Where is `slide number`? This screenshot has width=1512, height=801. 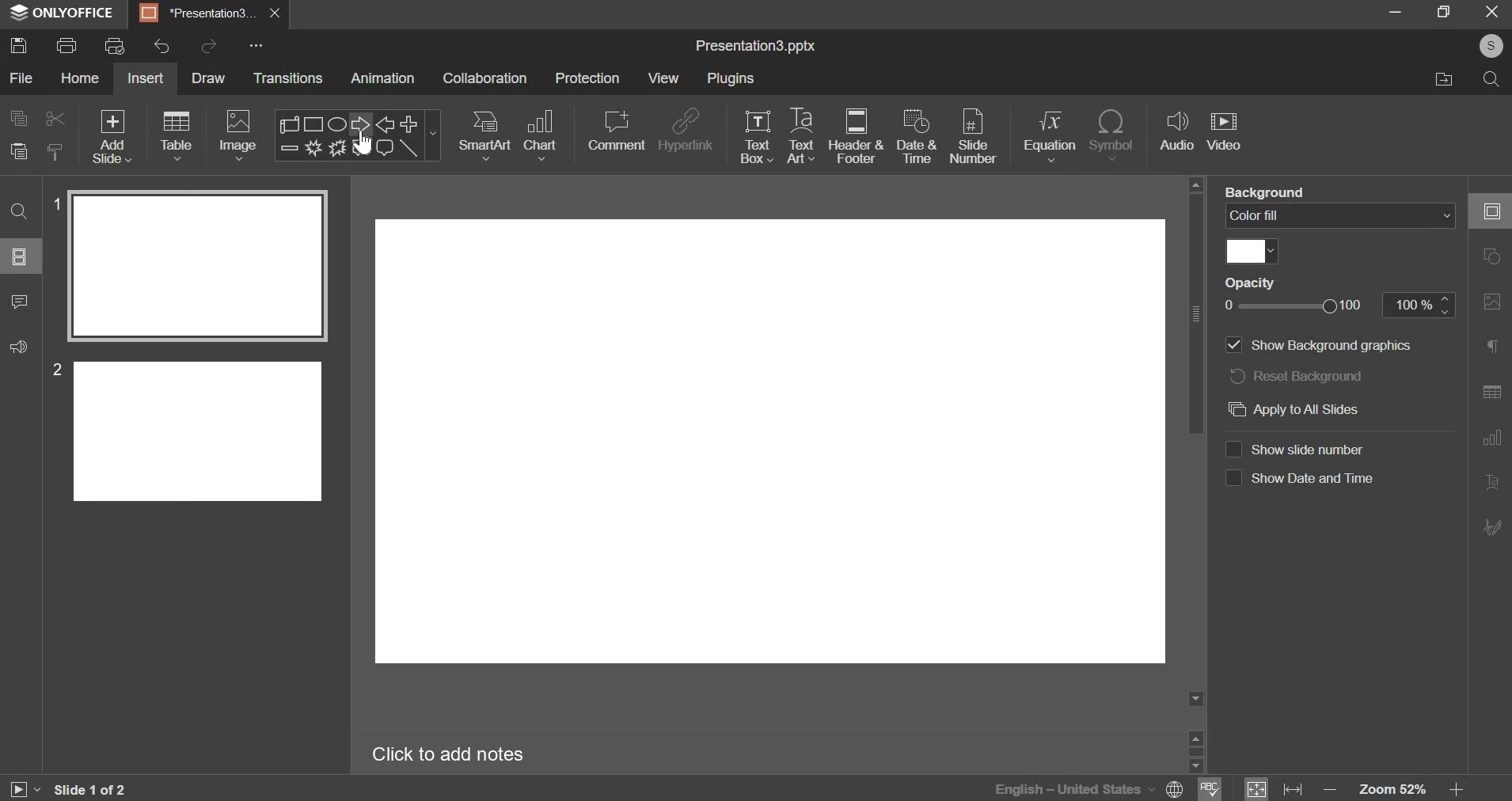 slide number is located at coordinates (54, 202).